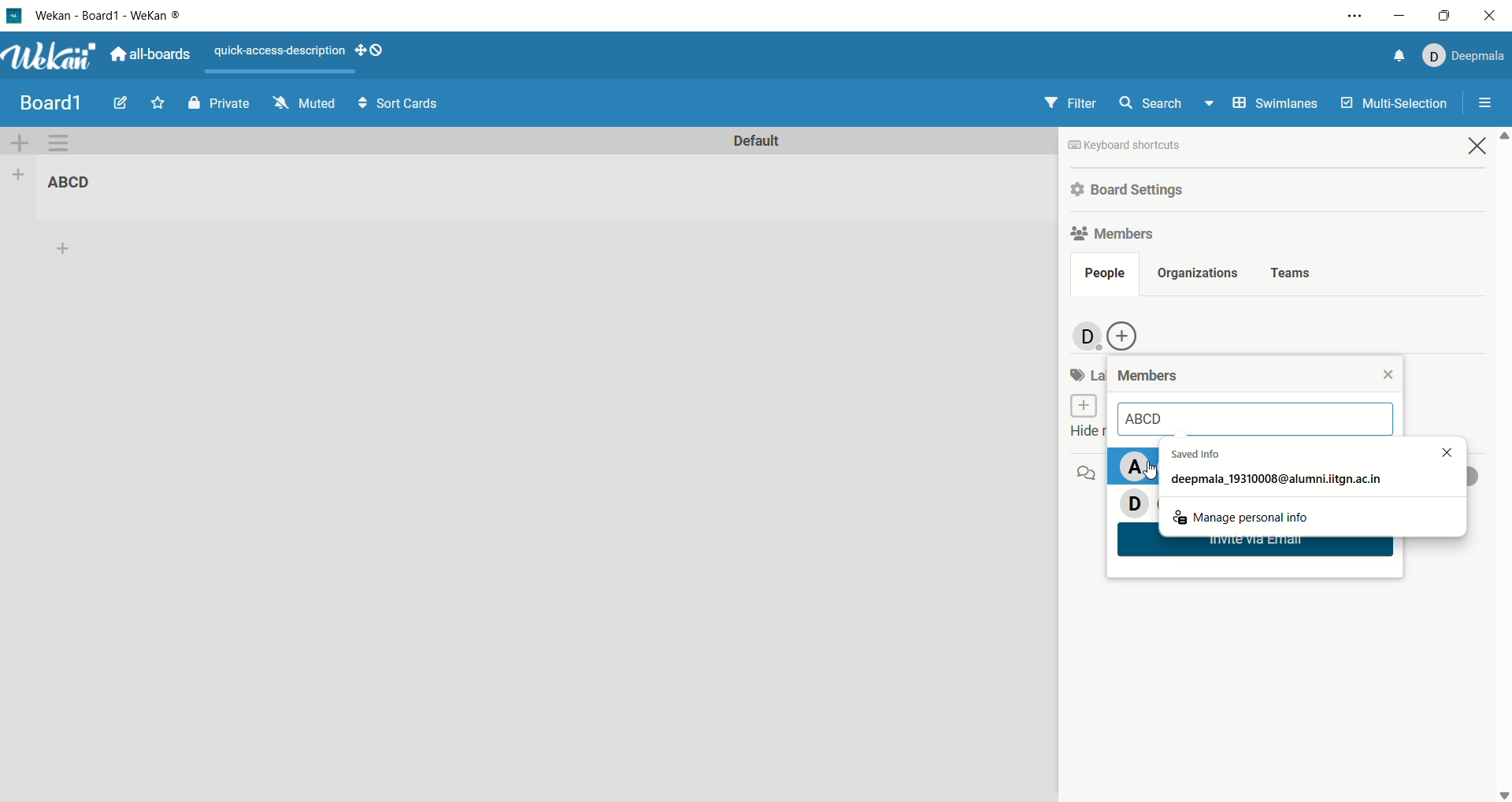 The image size is (1512, 802). What do you see at coordinates (1388, 373) in the screenshot?
I see `close` at bounding box center [1388, 373].